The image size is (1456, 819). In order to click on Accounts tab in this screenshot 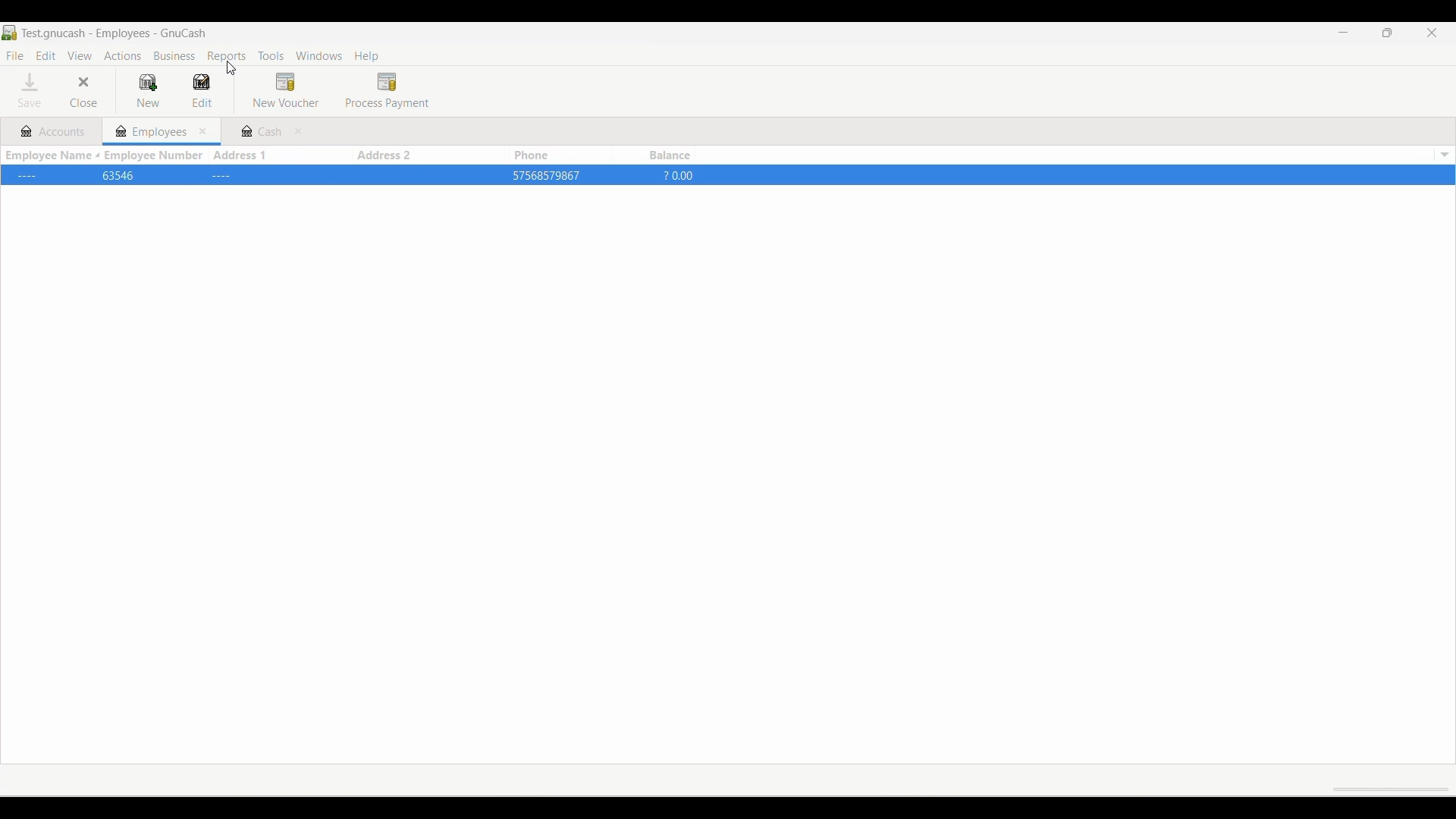, I will do `click(53, 132)`.